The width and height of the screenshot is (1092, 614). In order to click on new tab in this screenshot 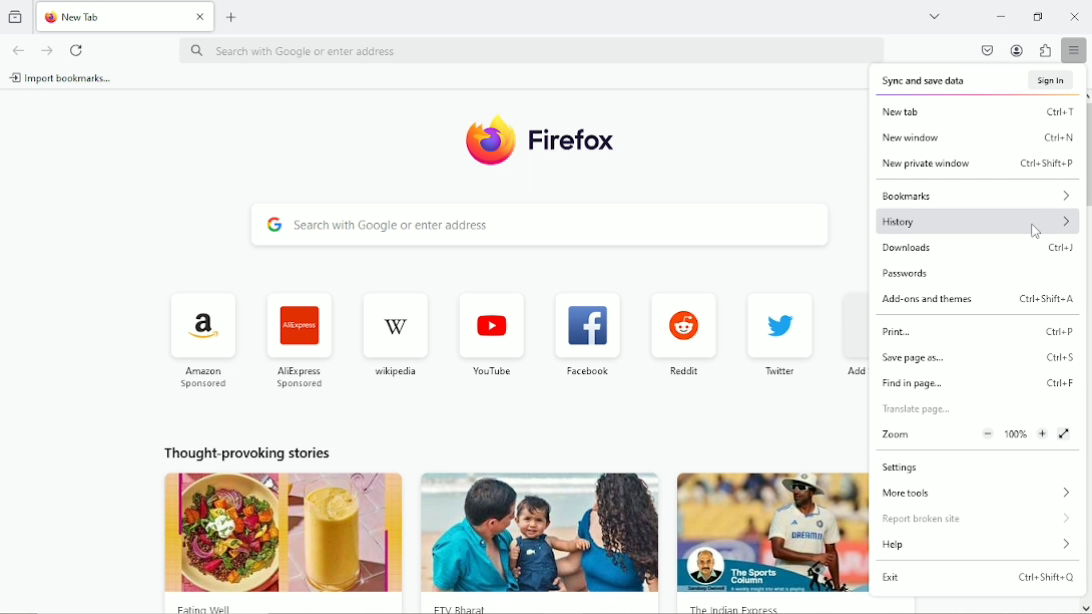, I will do `click(234, 16)`.